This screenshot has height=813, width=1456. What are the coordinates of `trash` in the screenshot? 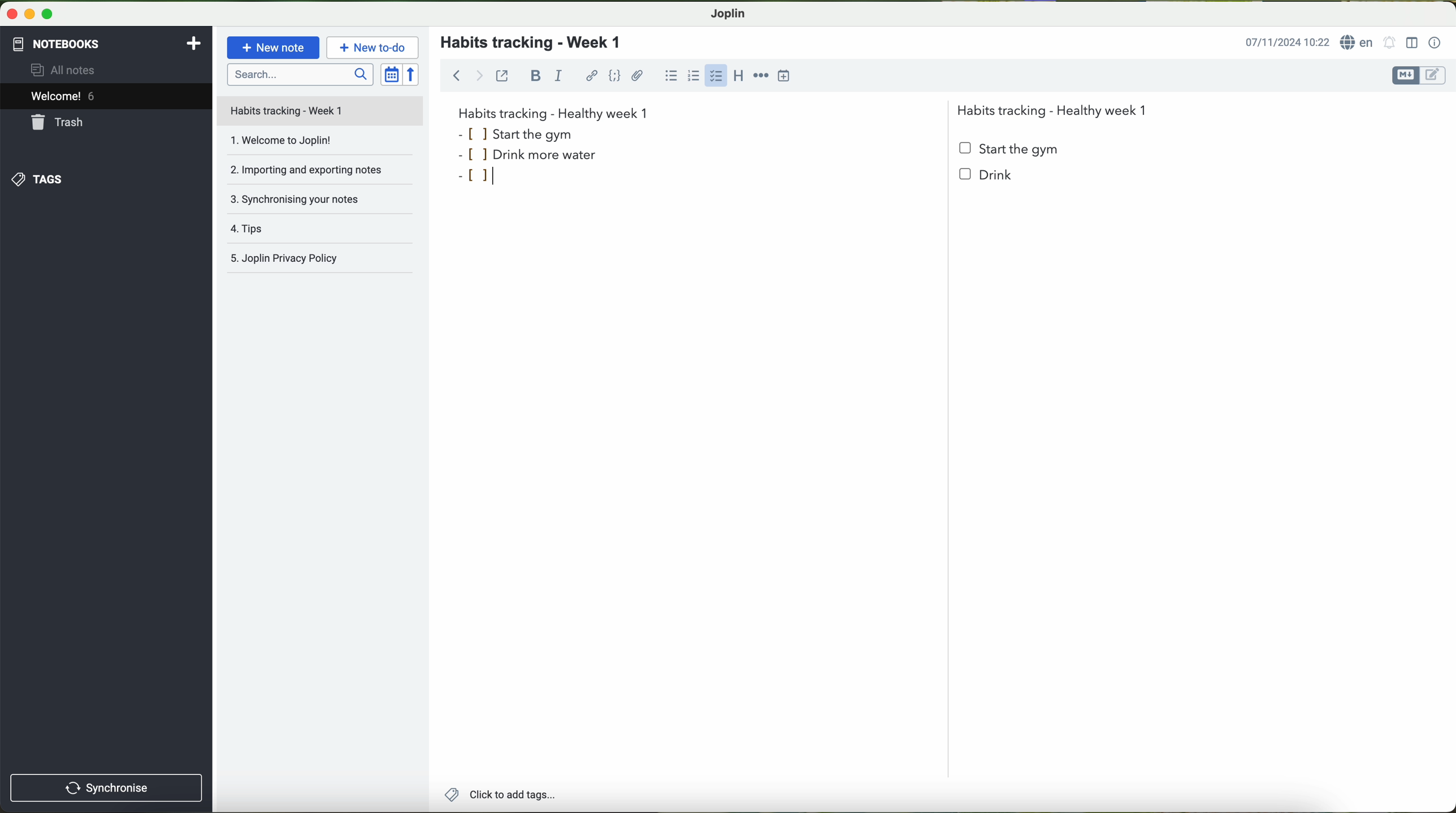 It's located at (59, 122).